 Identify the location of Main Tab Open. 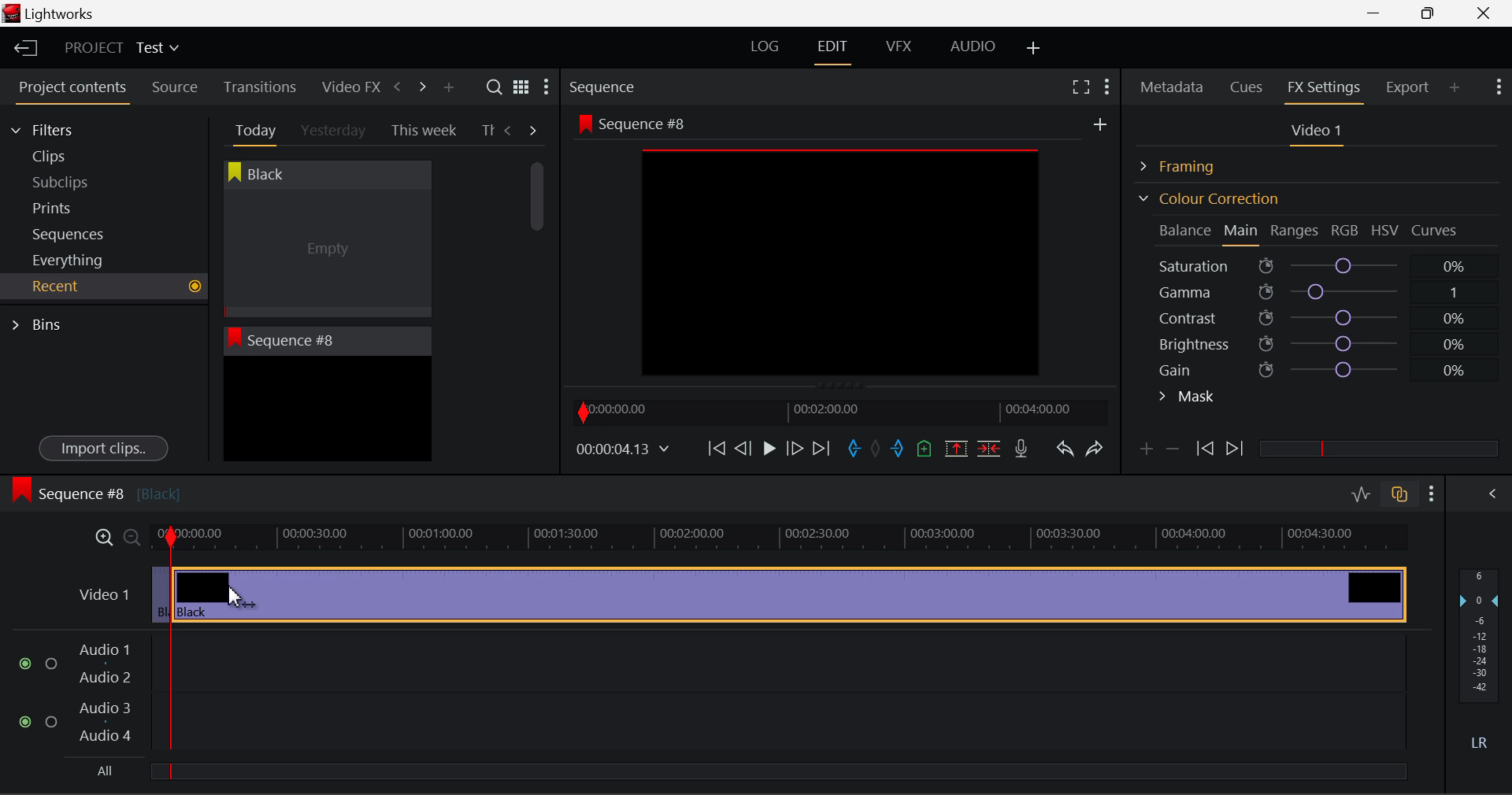
(1242, 232).